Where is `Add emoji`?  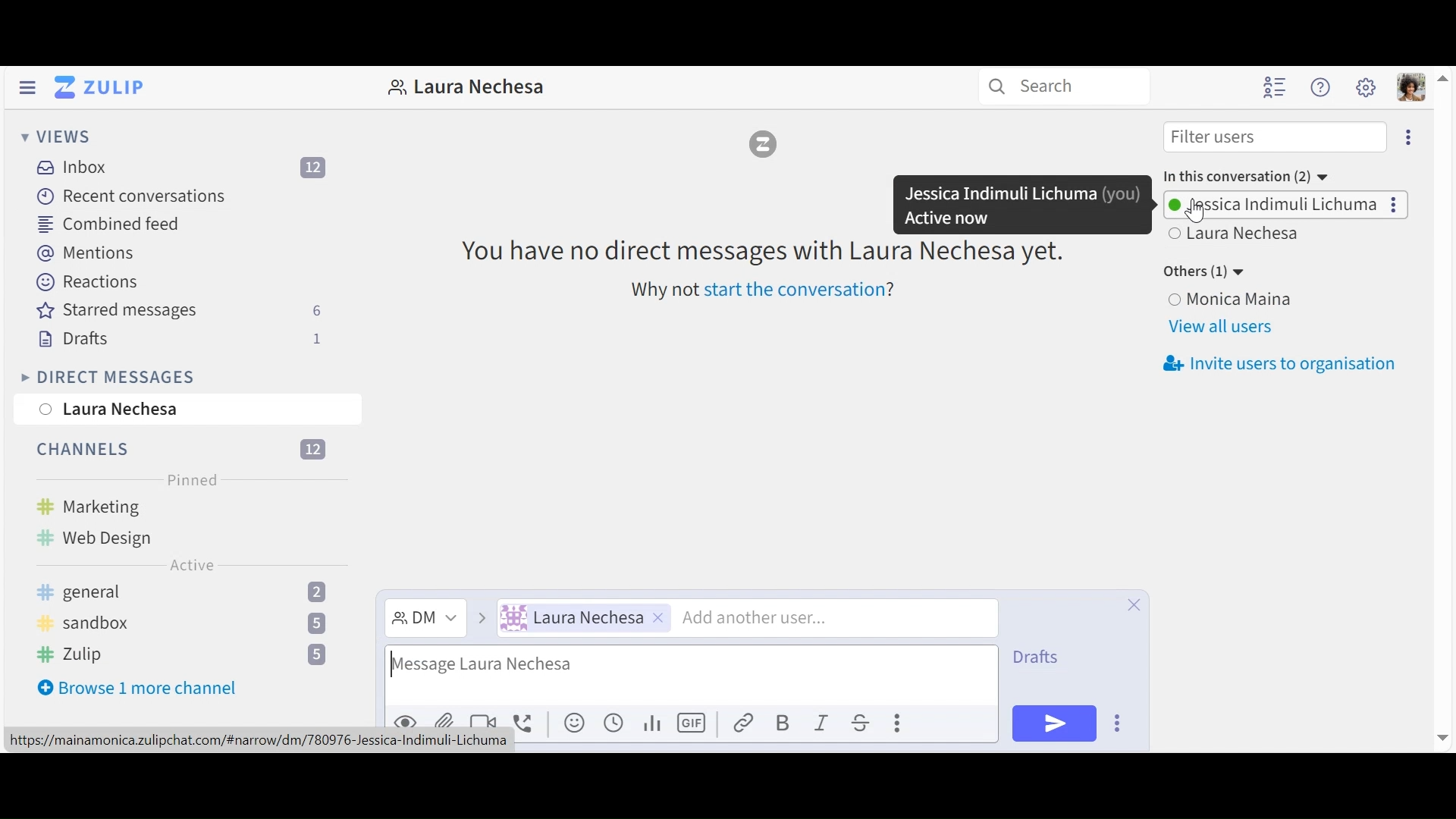 Add emoji is located at coordinates (573, 723).